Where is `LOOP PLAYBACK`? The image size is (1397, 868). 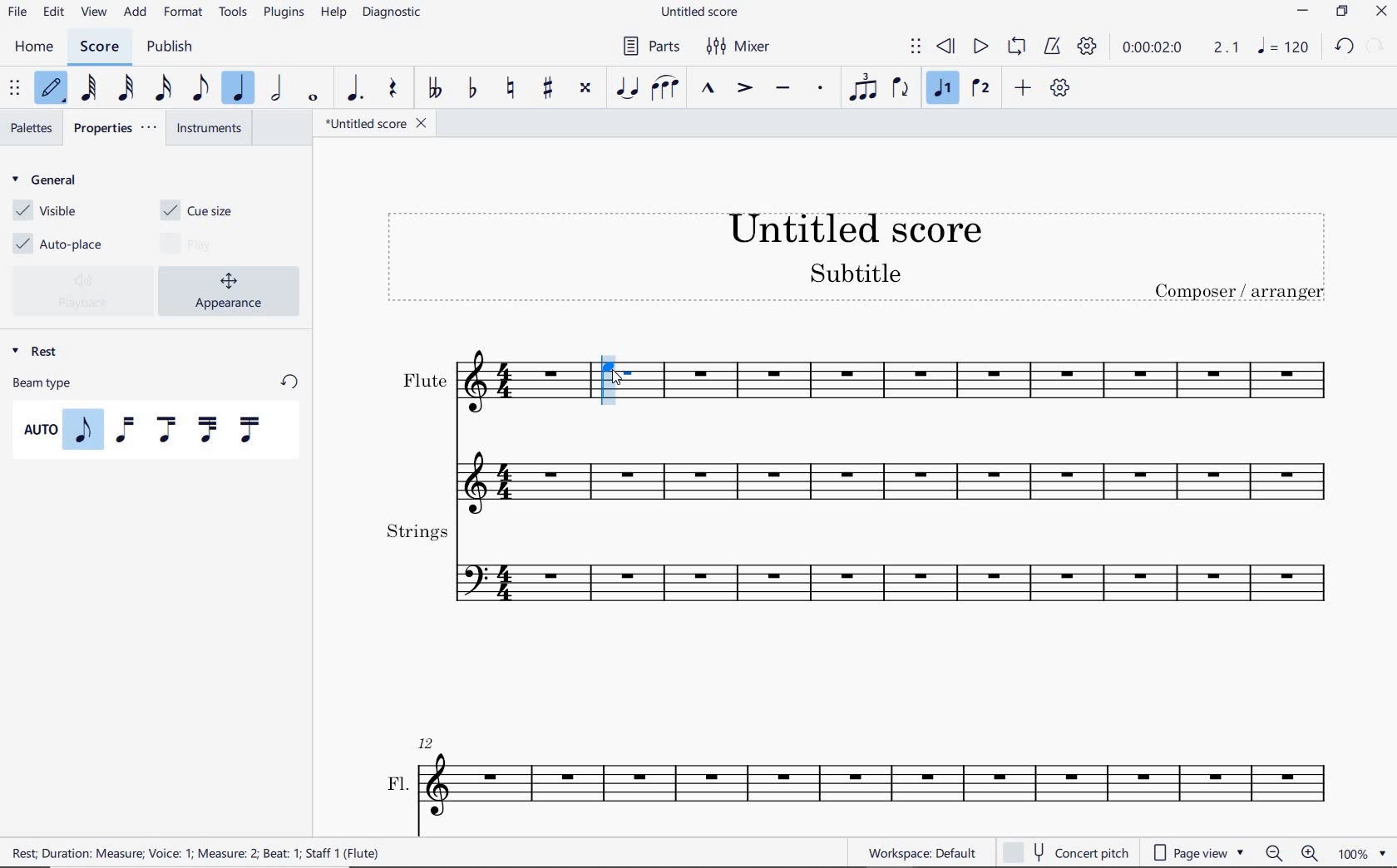
LOOP PLAYBACK is located at coordinates (1019, 48).